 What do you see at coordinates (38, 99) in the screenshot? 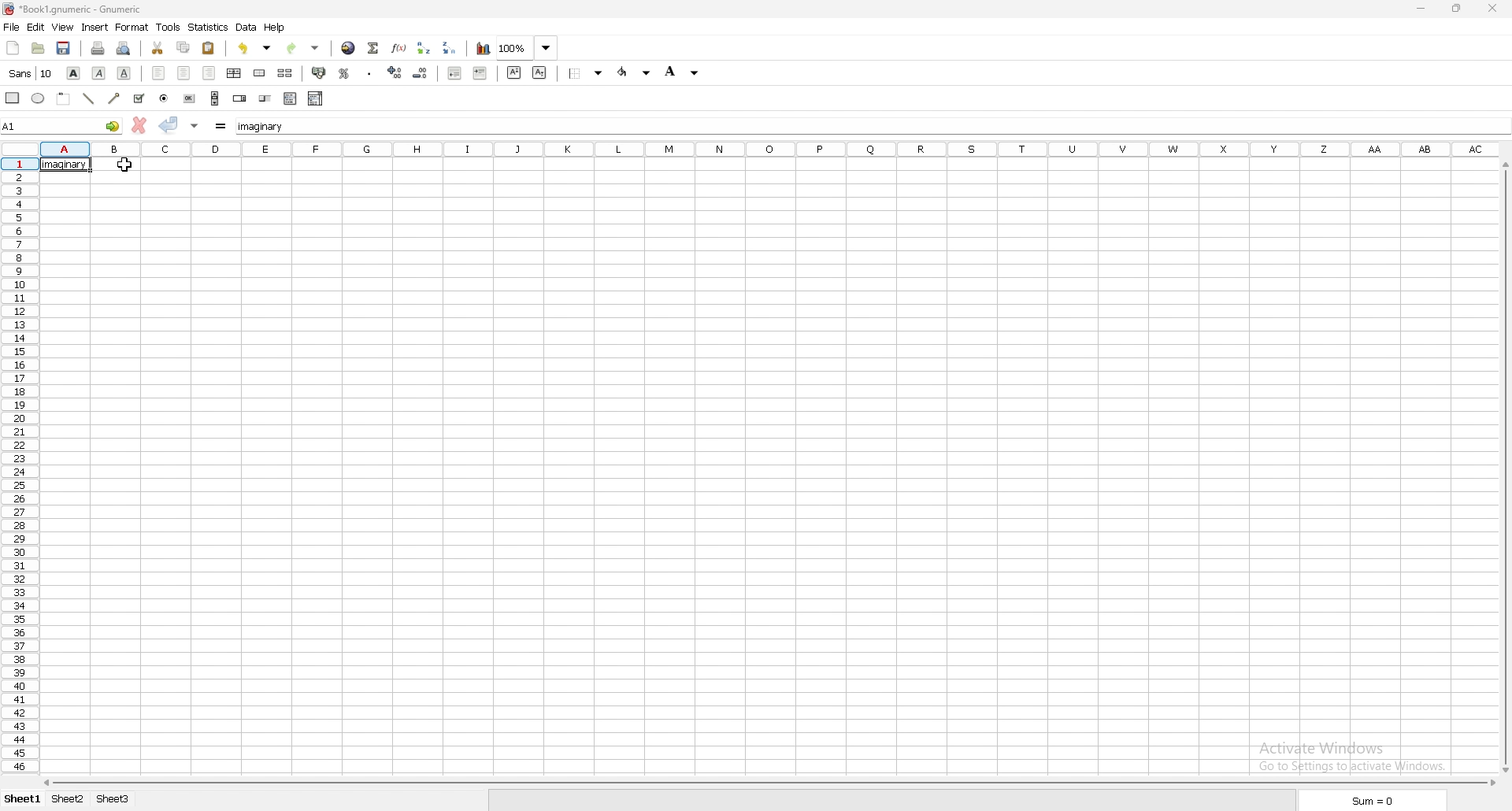
I see `ellipse` at bounding box center [38, 99].